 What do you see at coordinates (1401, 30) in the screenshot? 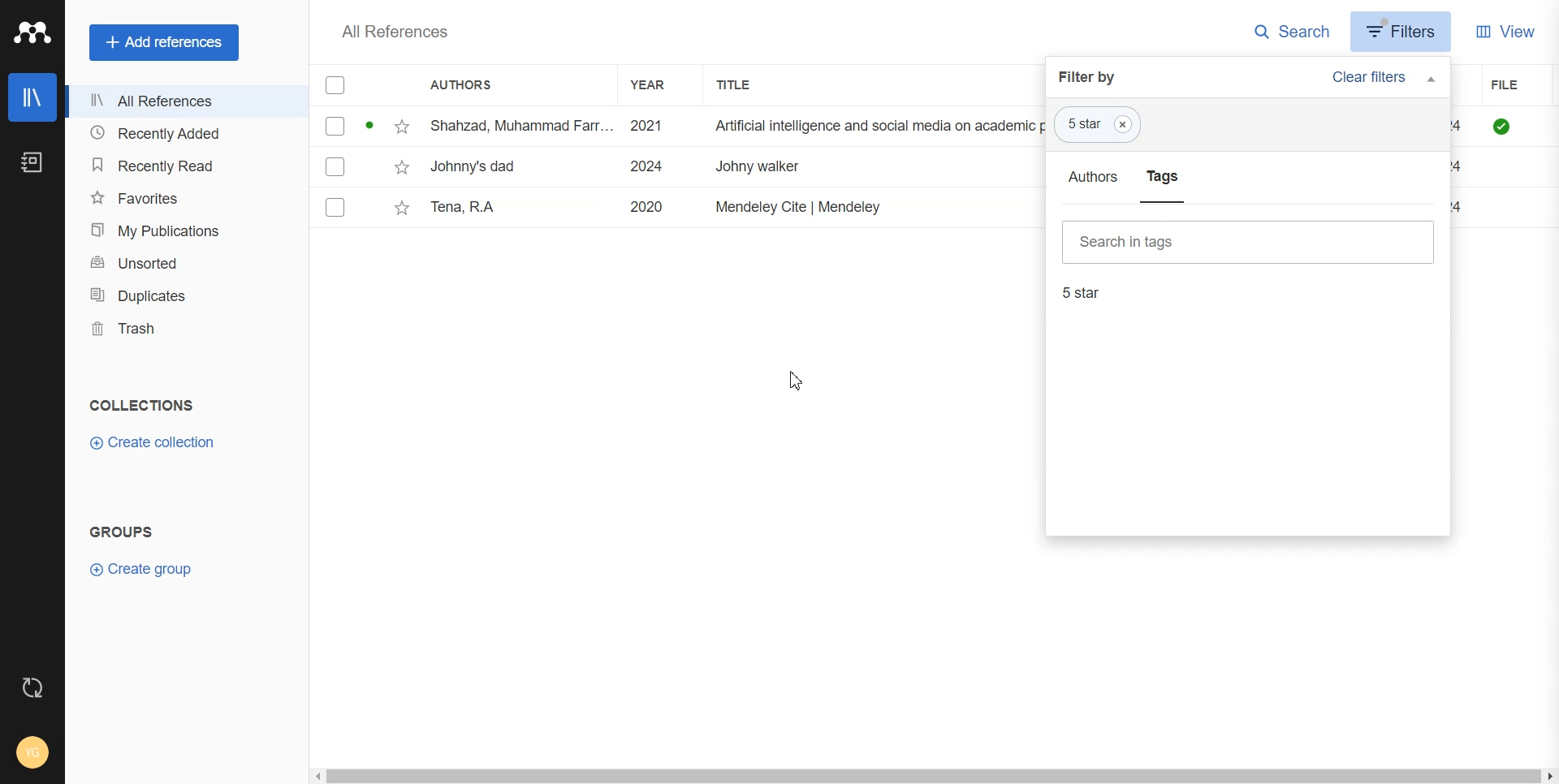
I see `Filters` at bounding box center [1401, 30].